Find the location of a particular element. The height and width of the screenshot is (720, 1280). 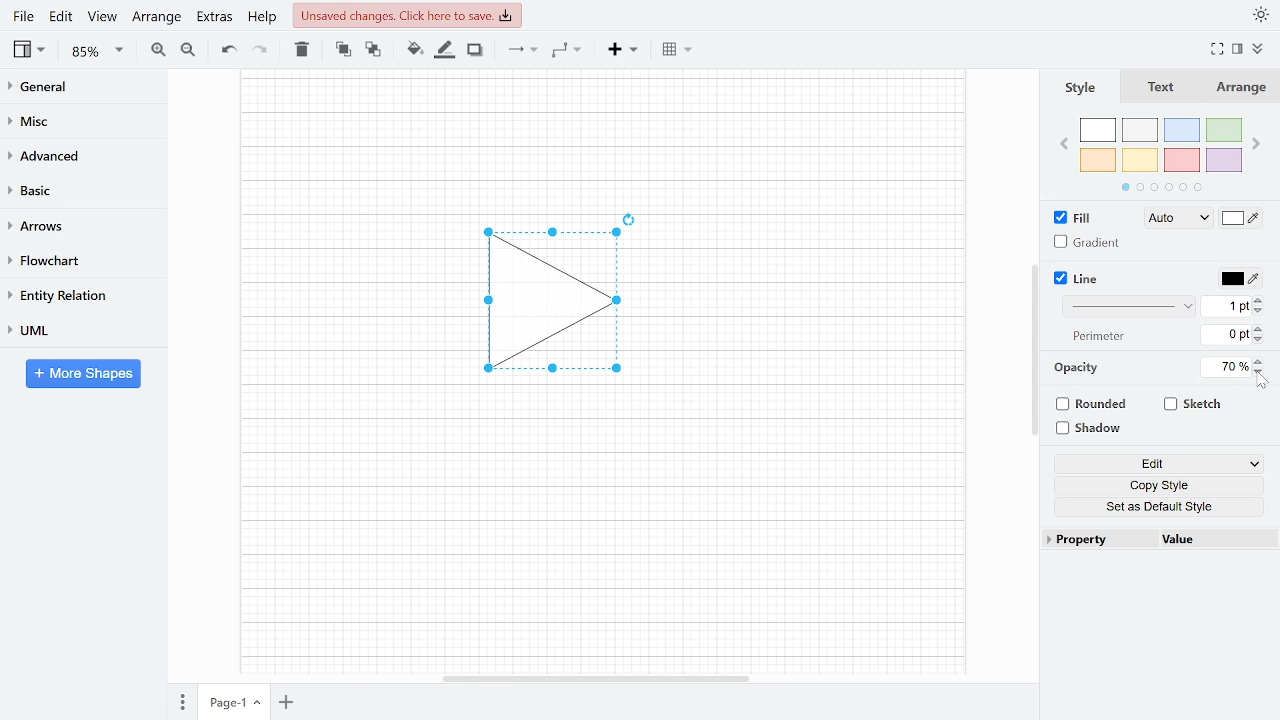

Perimeter is located at coordinates (1095, 337).